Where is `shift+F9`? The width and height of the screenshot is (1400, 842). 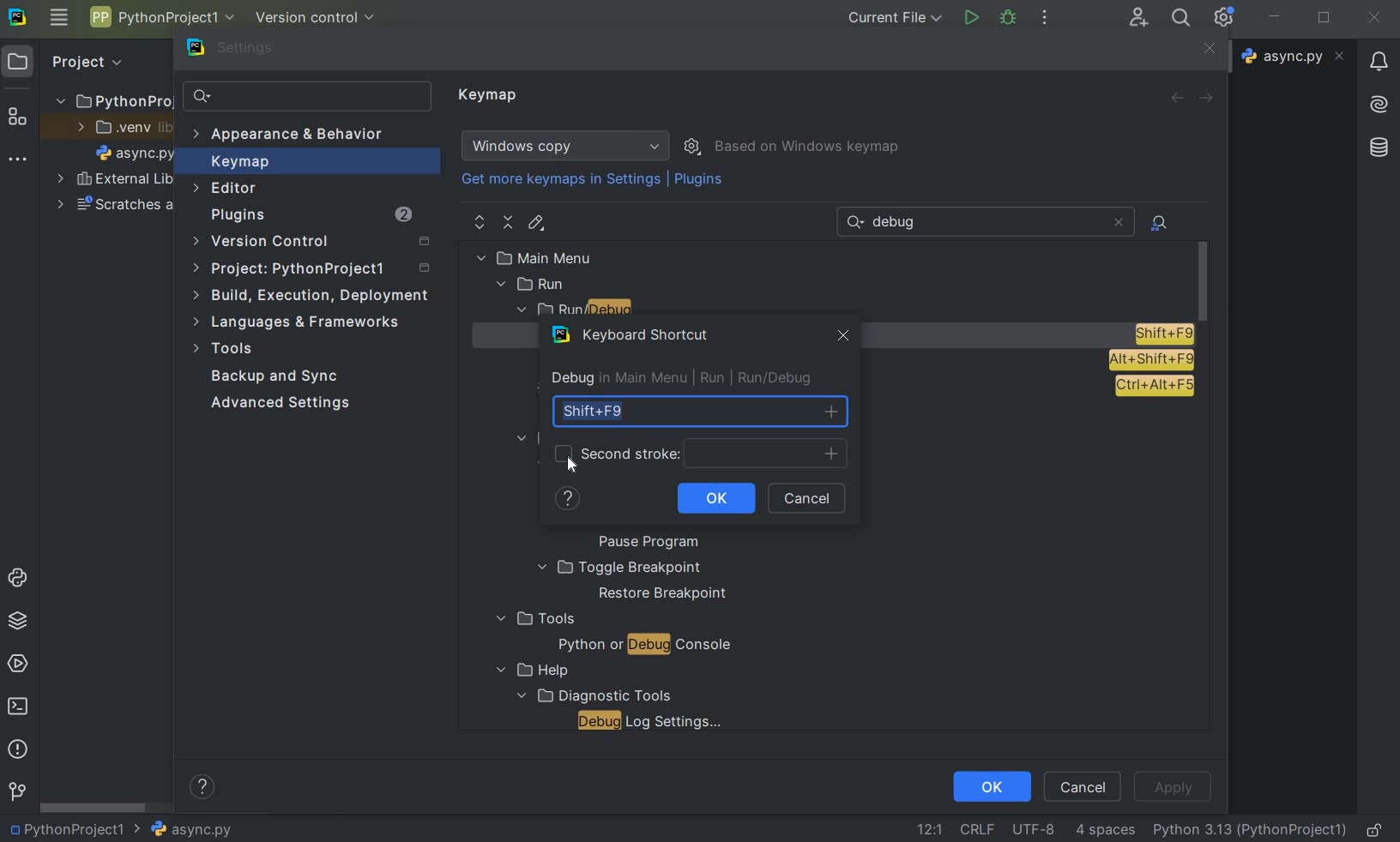
shift+F9 is located at coordinates (699, 412).